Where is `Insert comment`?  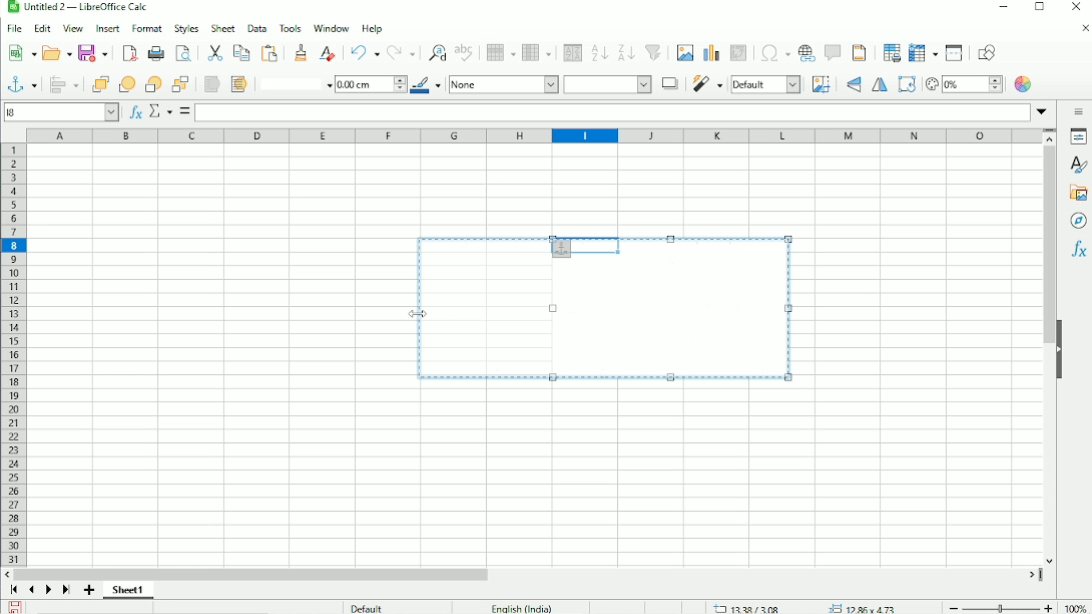 Insert comment is located at coordinates (832, 52).